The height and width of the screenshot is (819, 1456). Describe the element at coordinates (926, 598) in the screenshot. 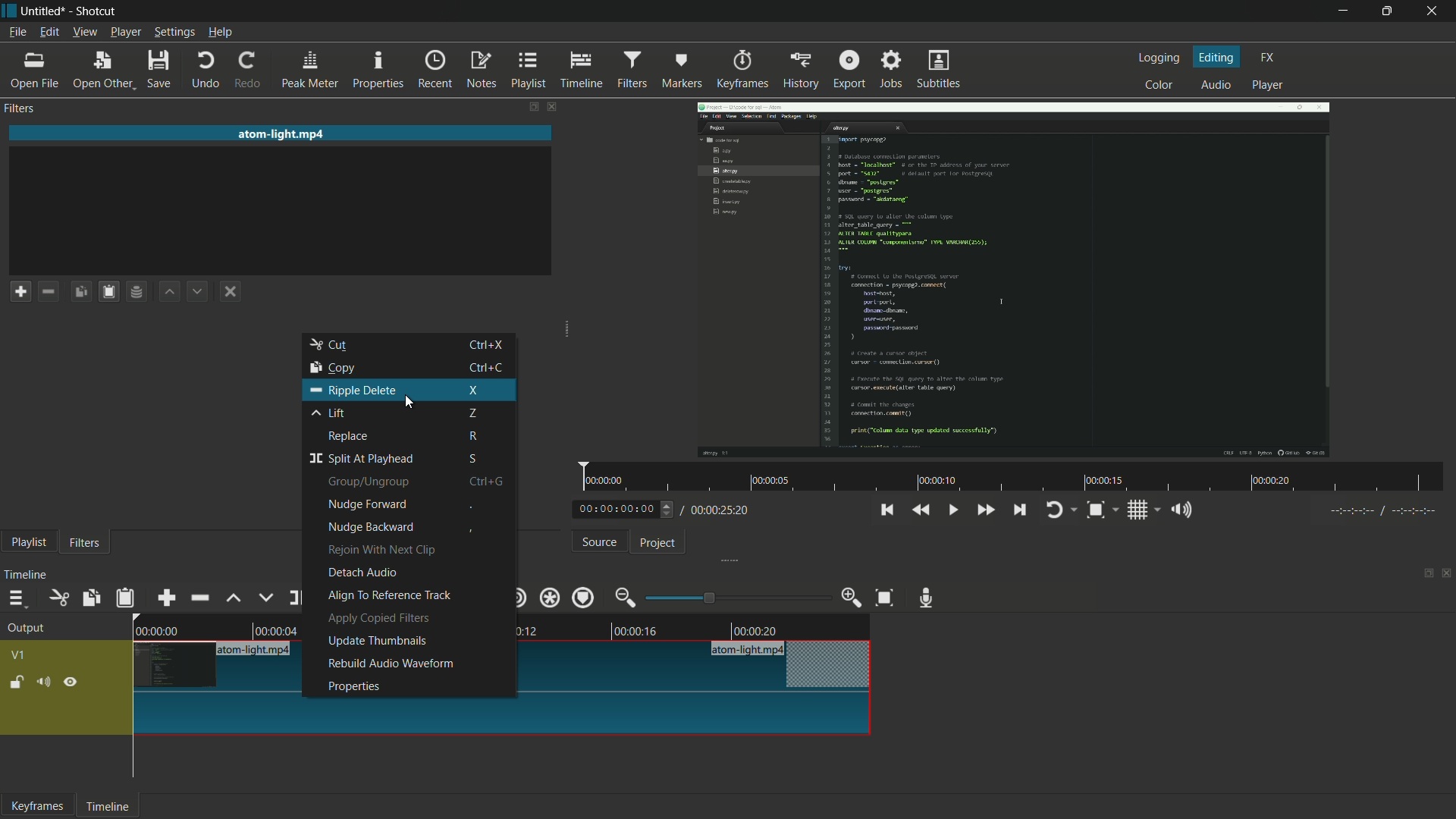

I see `record audio` at that location.